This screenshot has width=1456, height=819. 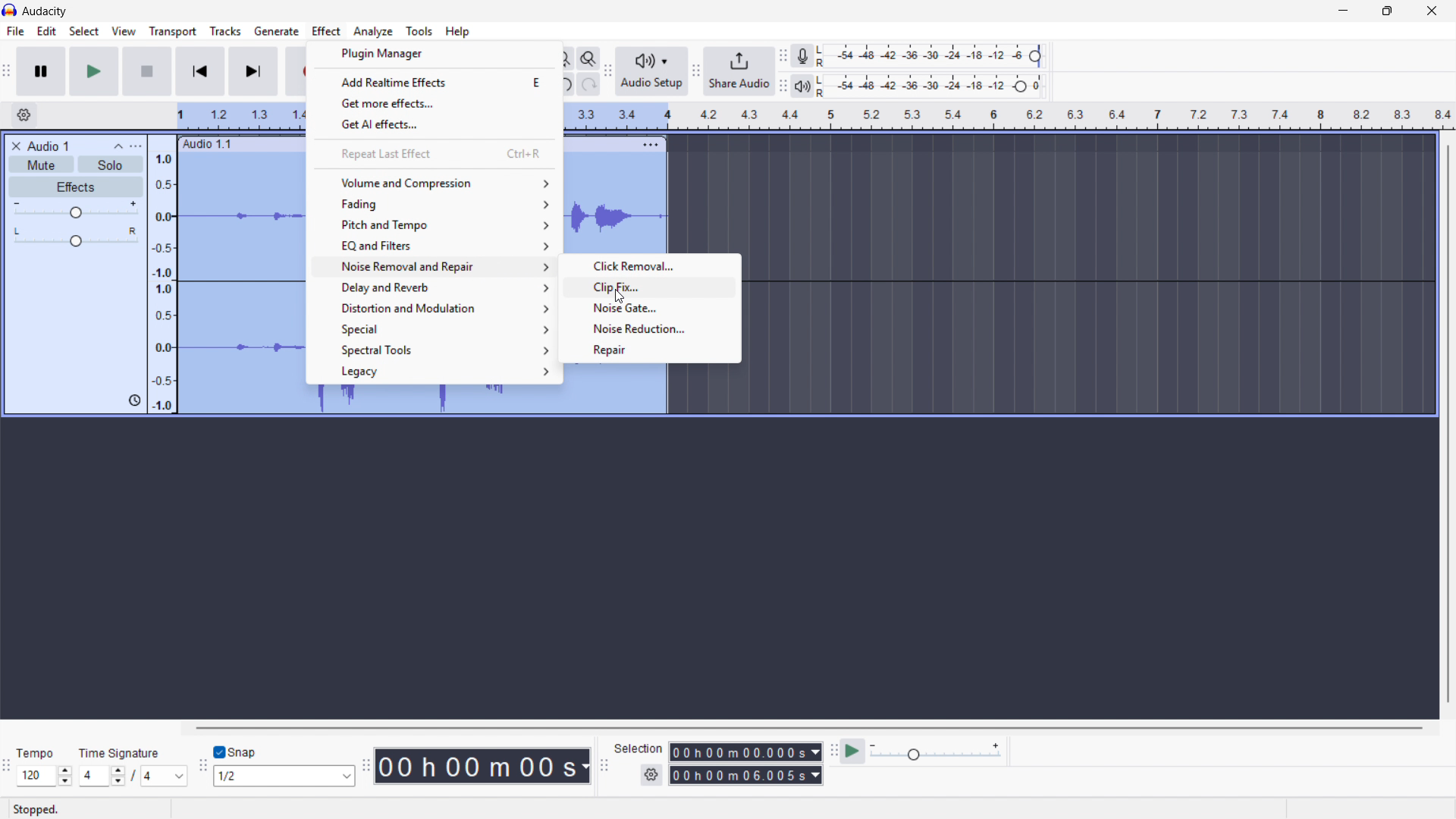 I want to click on toggle zoom, so click(x=588, y=58).